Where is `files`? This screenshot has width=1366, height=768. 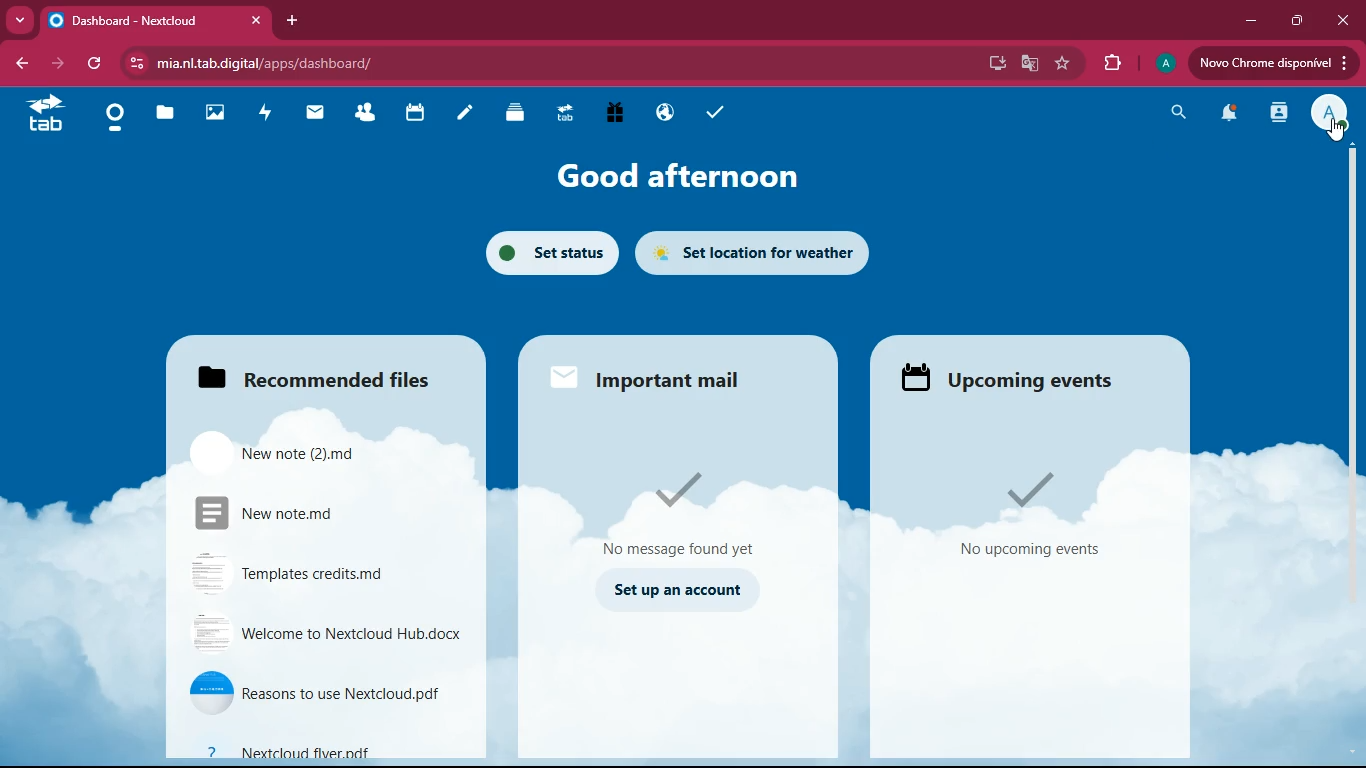
files is located at coordinates (322, 379).